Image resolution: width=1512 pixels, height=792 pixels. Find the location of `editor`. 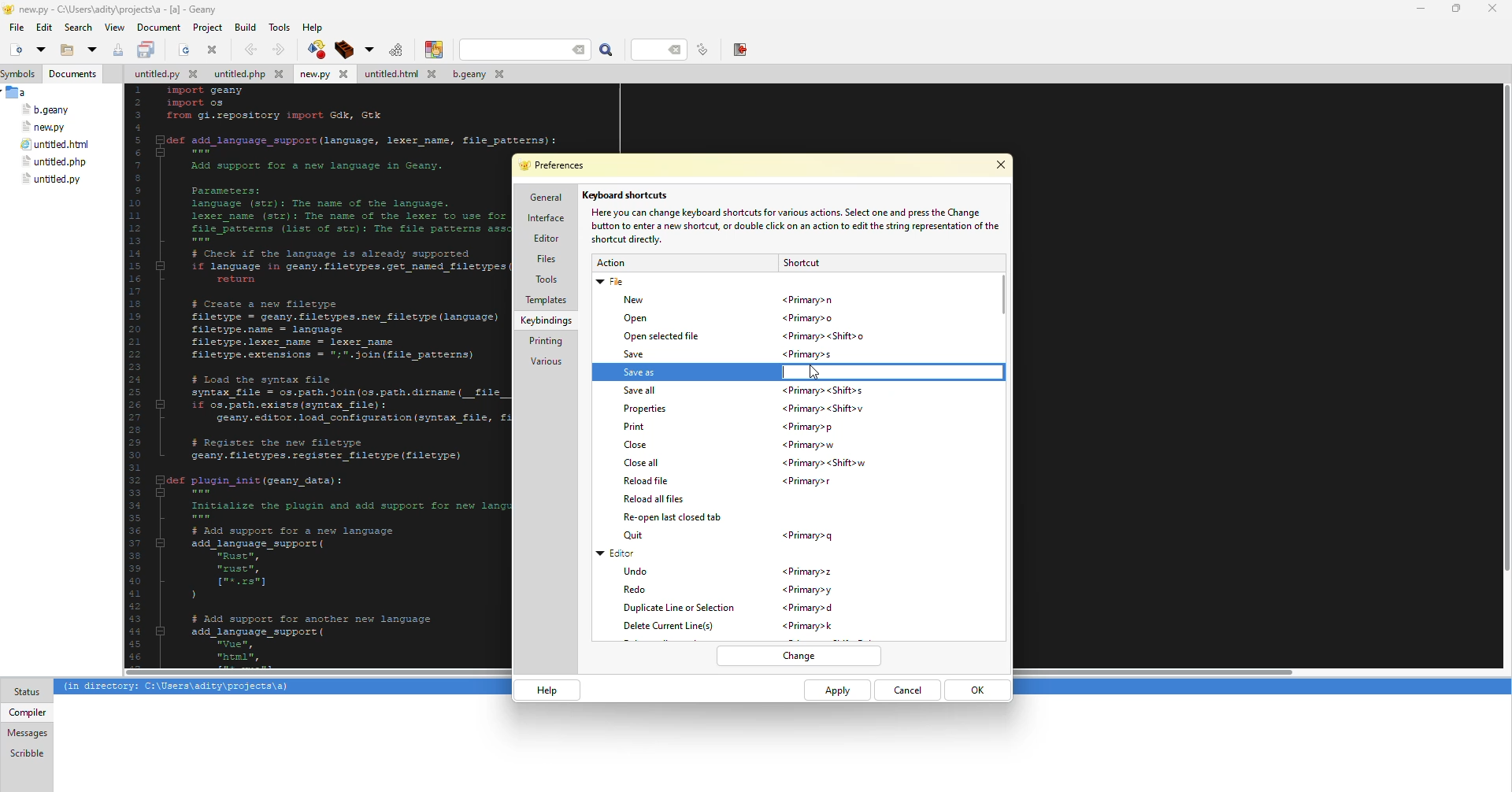

editor is located at coordinates (616, 553).